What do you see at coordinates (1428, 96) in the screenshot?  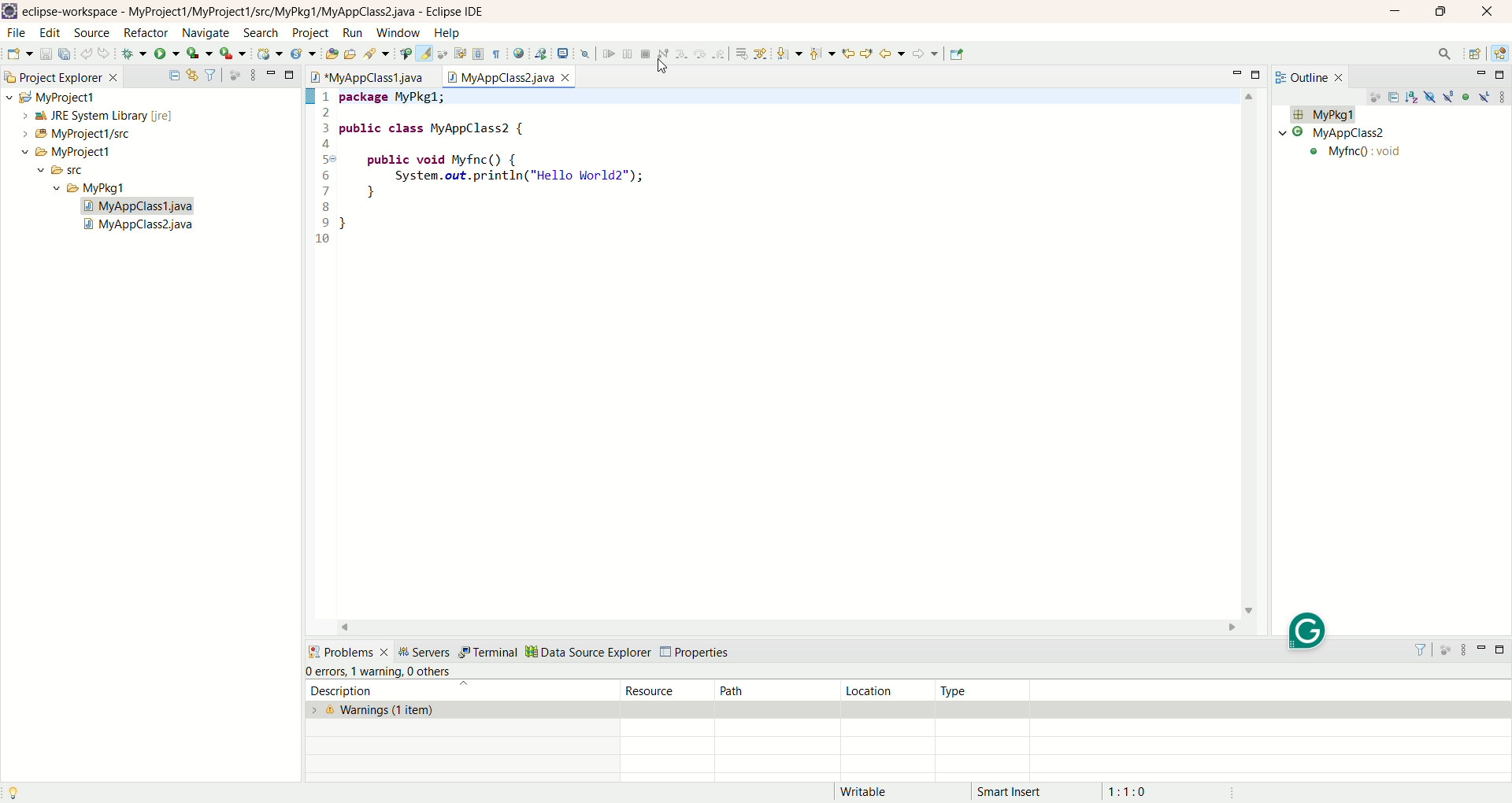 I see `hide field` at bounding box center [1428, 96].